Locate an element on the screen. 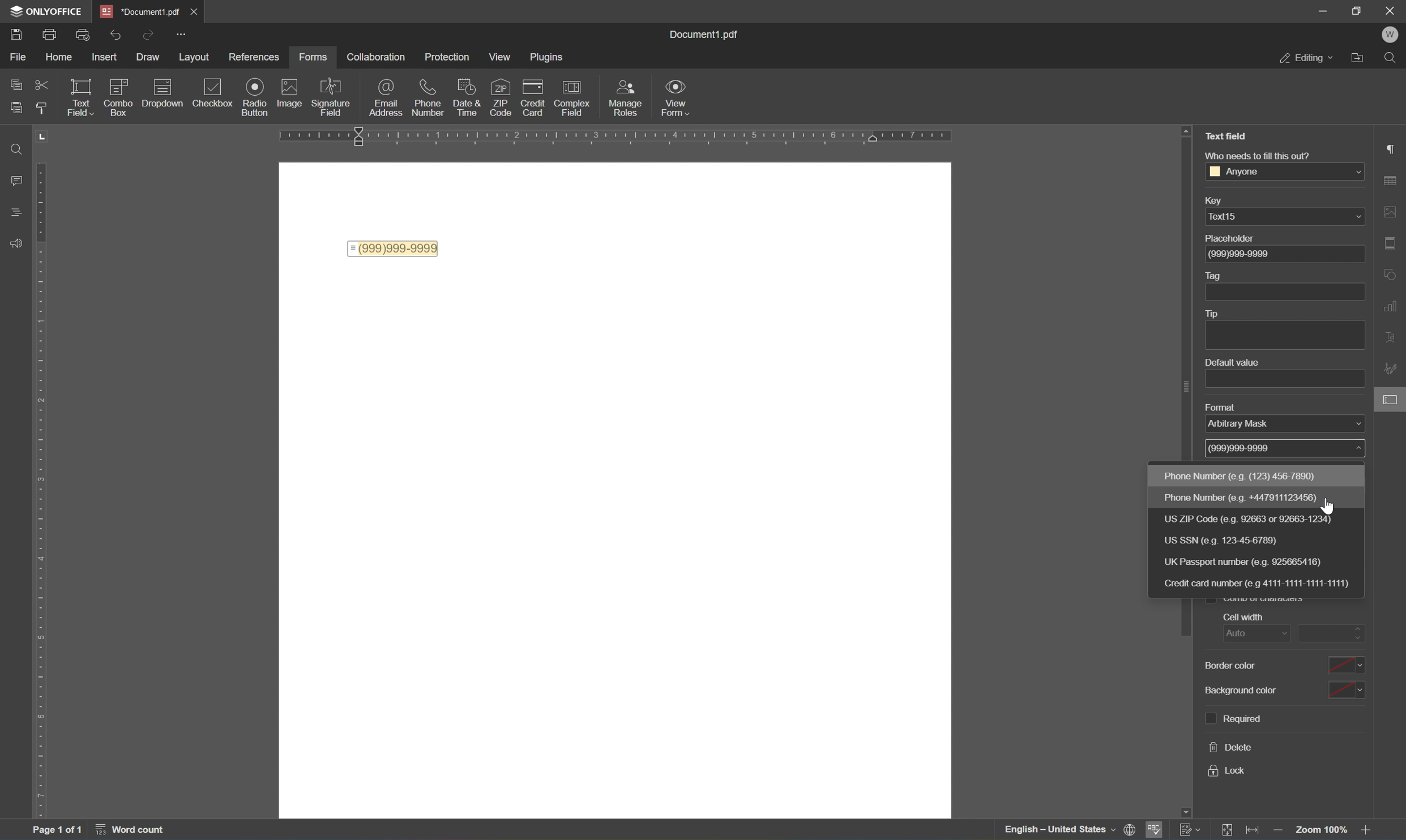 Image resolution: width=1406 pixels, height=840 pixels. open file location is located at coordinates (1363, 56).